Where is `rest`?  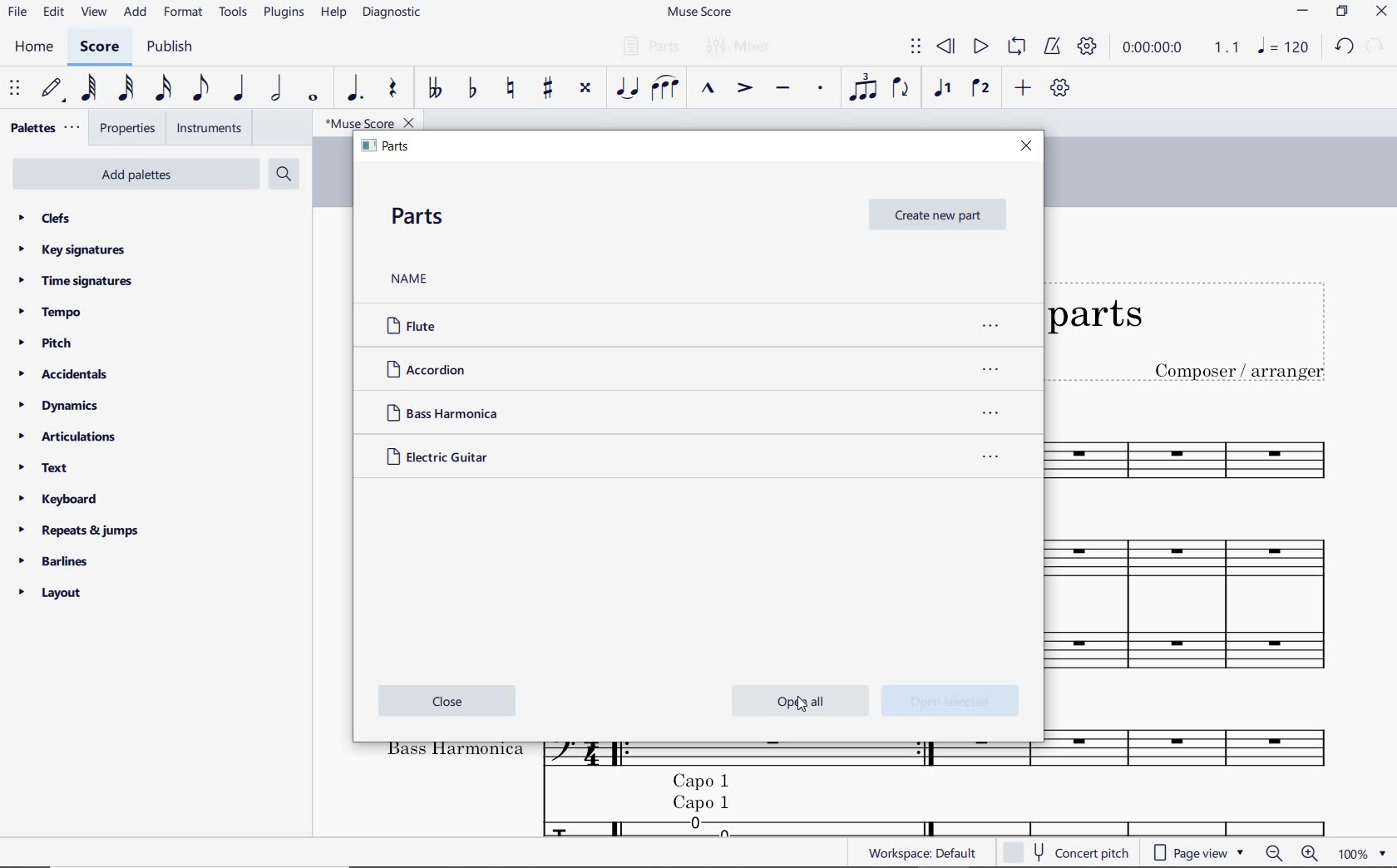 rest is located at coordinates (395, 89).